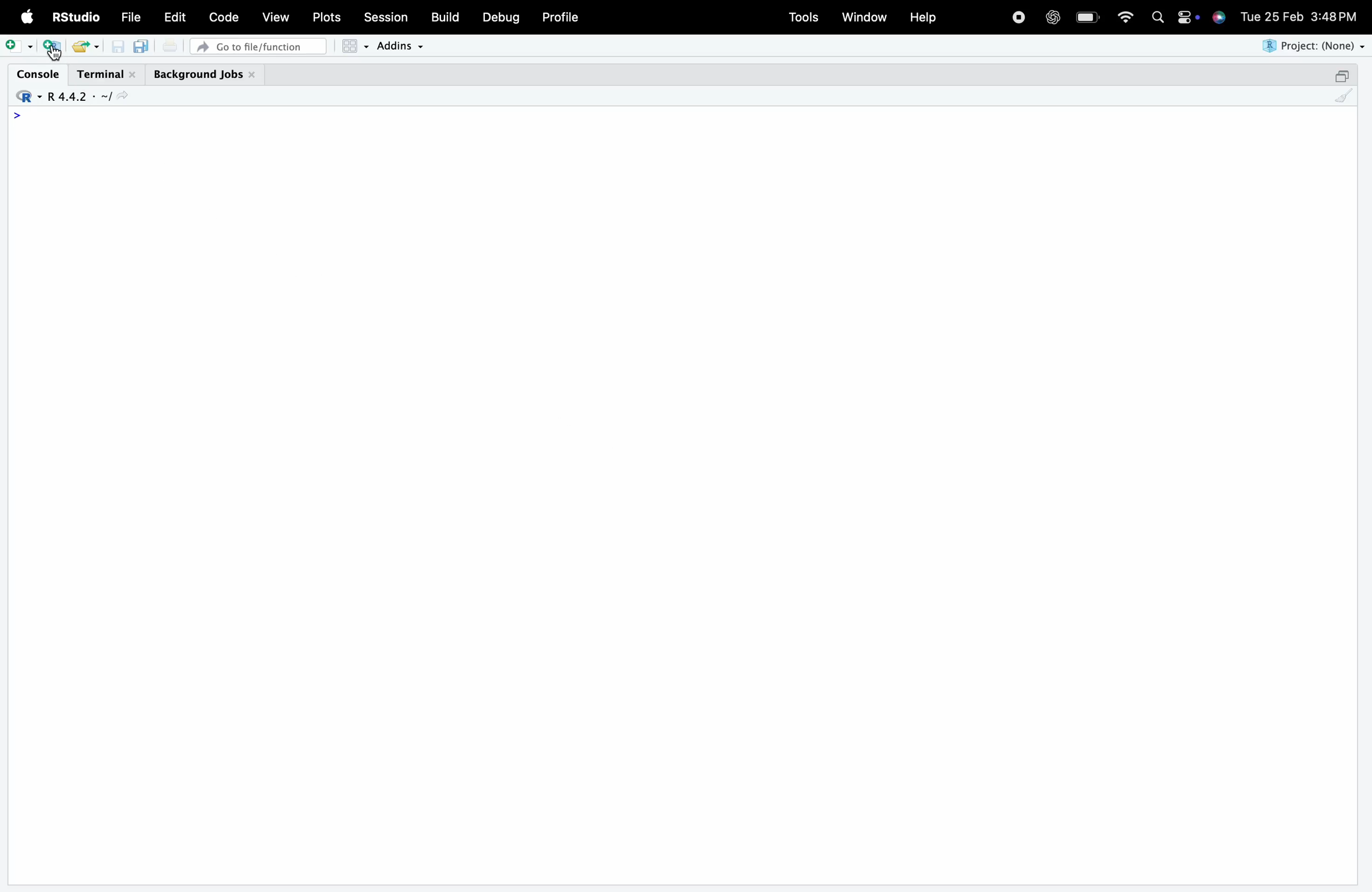 Image resolution: width=1372 pixels, height=892 pixels. I want to click on Go to file/function, so click(258, 47).